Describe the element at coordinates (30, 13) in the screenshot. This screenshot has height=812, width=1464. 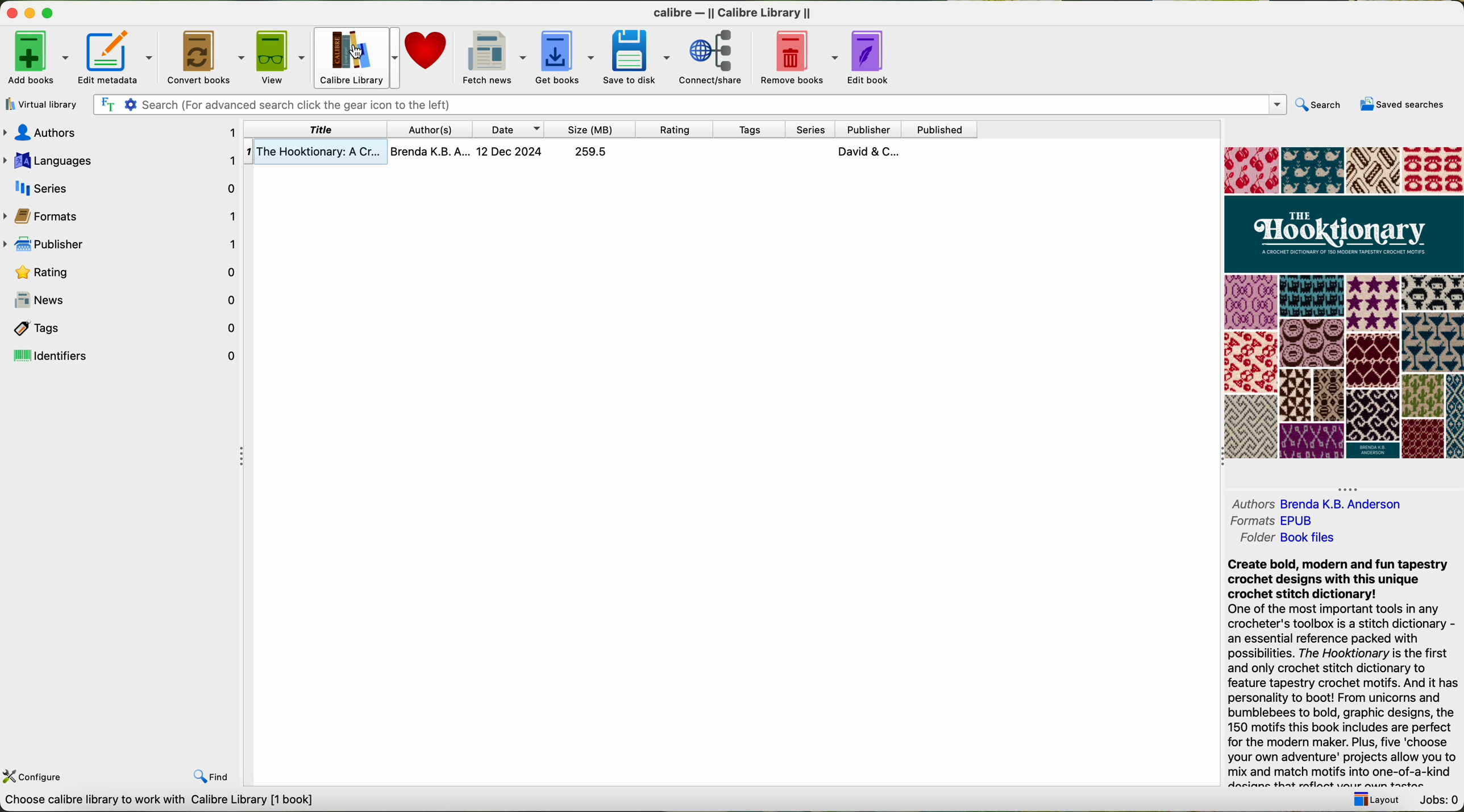
I see `minimize` at that location.